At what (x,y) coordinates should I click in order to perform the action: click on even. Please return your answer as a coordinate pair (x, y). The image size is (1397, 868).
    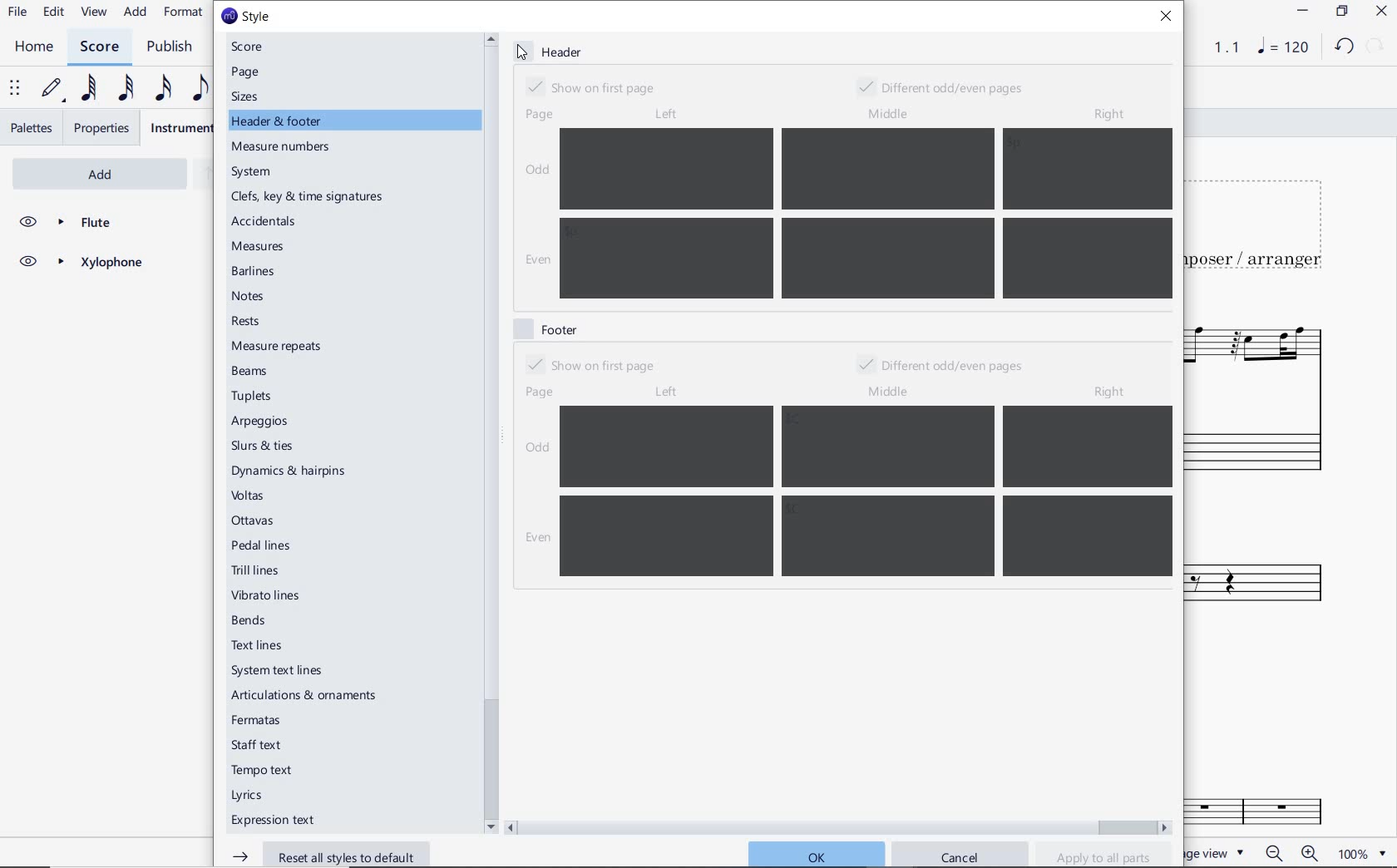
    Looking at the image, I should click on (535, 539).